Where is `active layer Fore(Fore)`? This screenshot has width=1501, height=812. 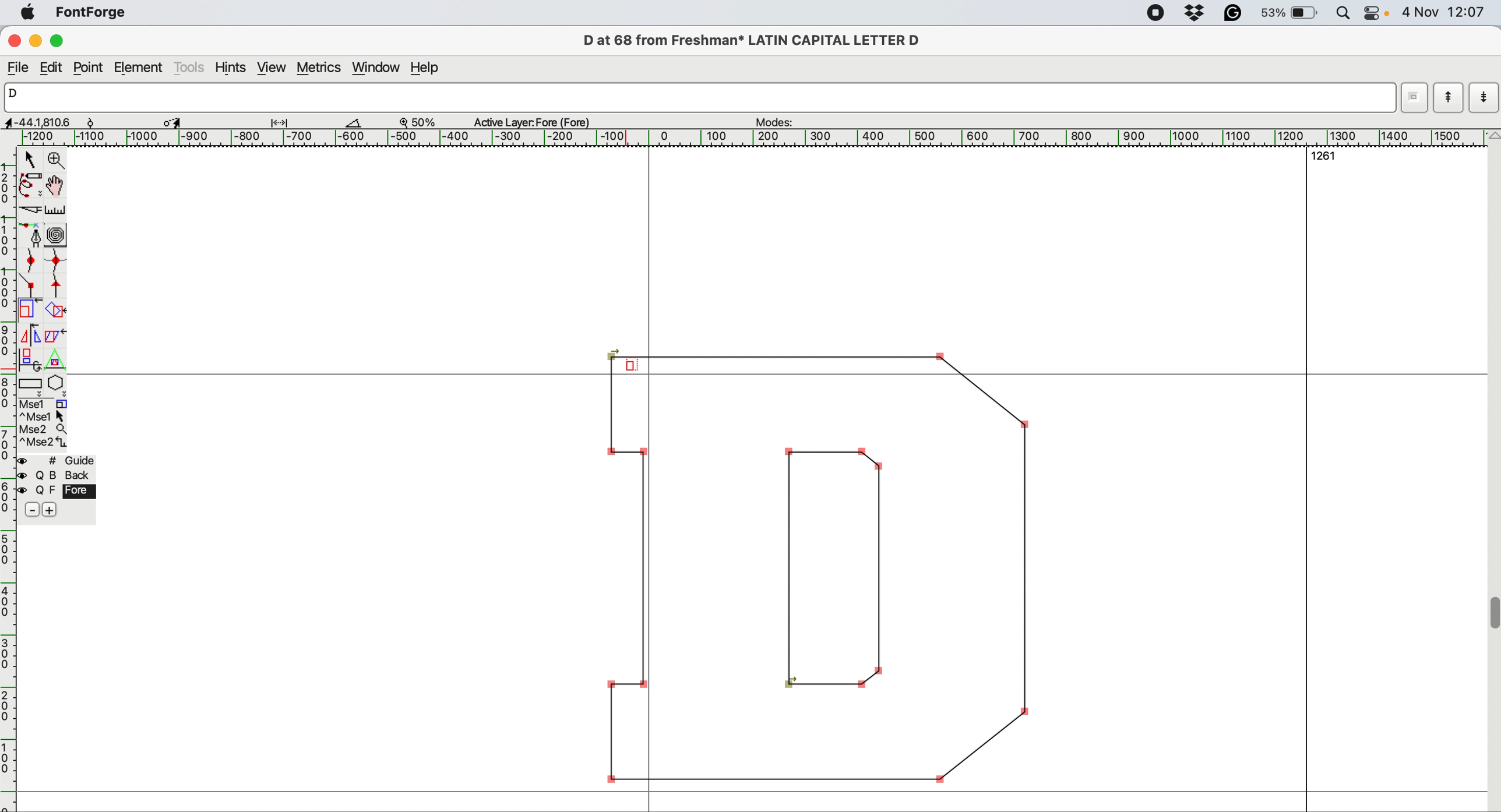
active layer Fore(Fore) is located at coordinates (537, 123).